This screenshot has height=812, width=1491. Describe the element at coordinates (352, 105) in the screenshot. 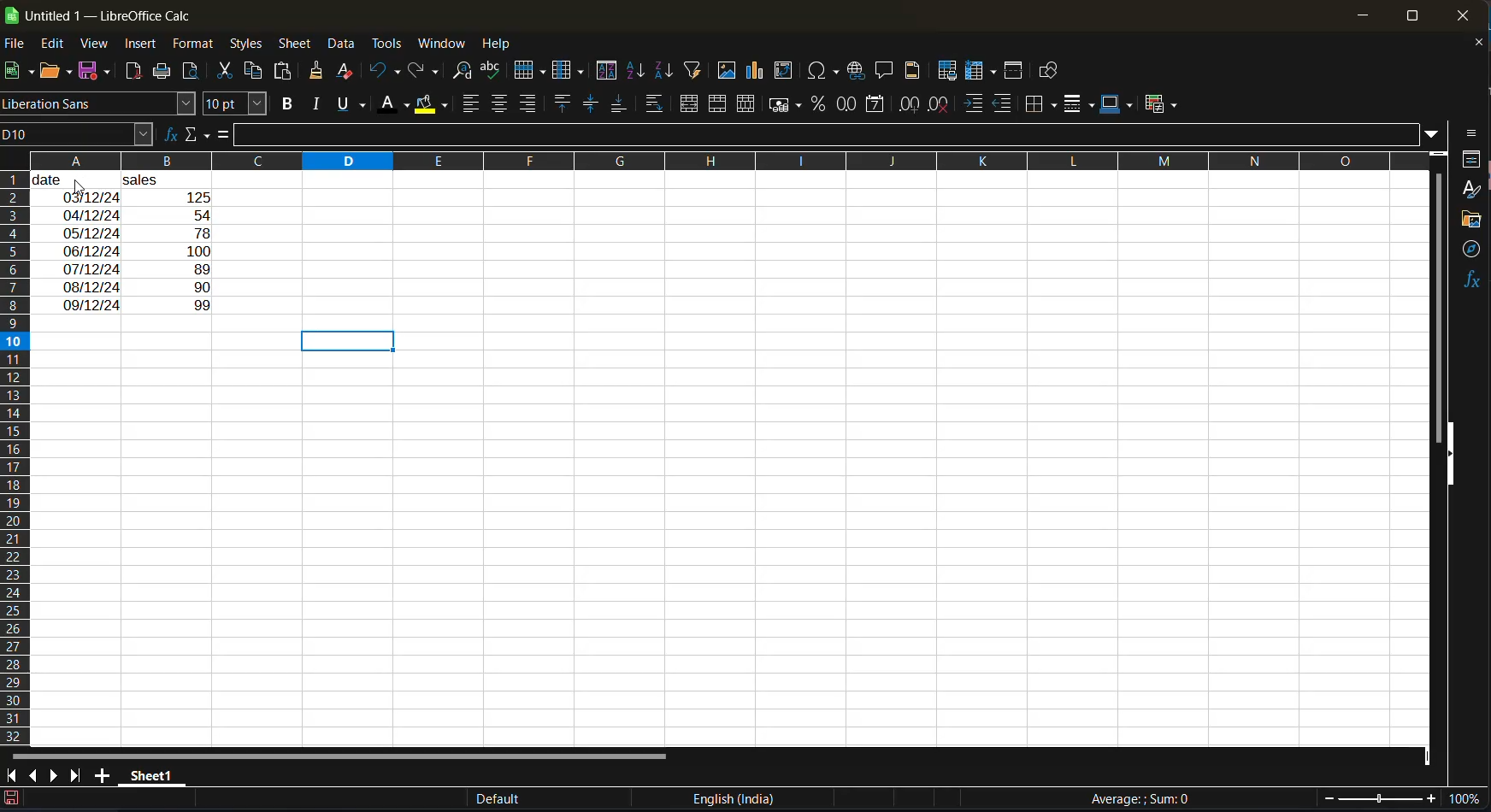

I see `underline` at that location.